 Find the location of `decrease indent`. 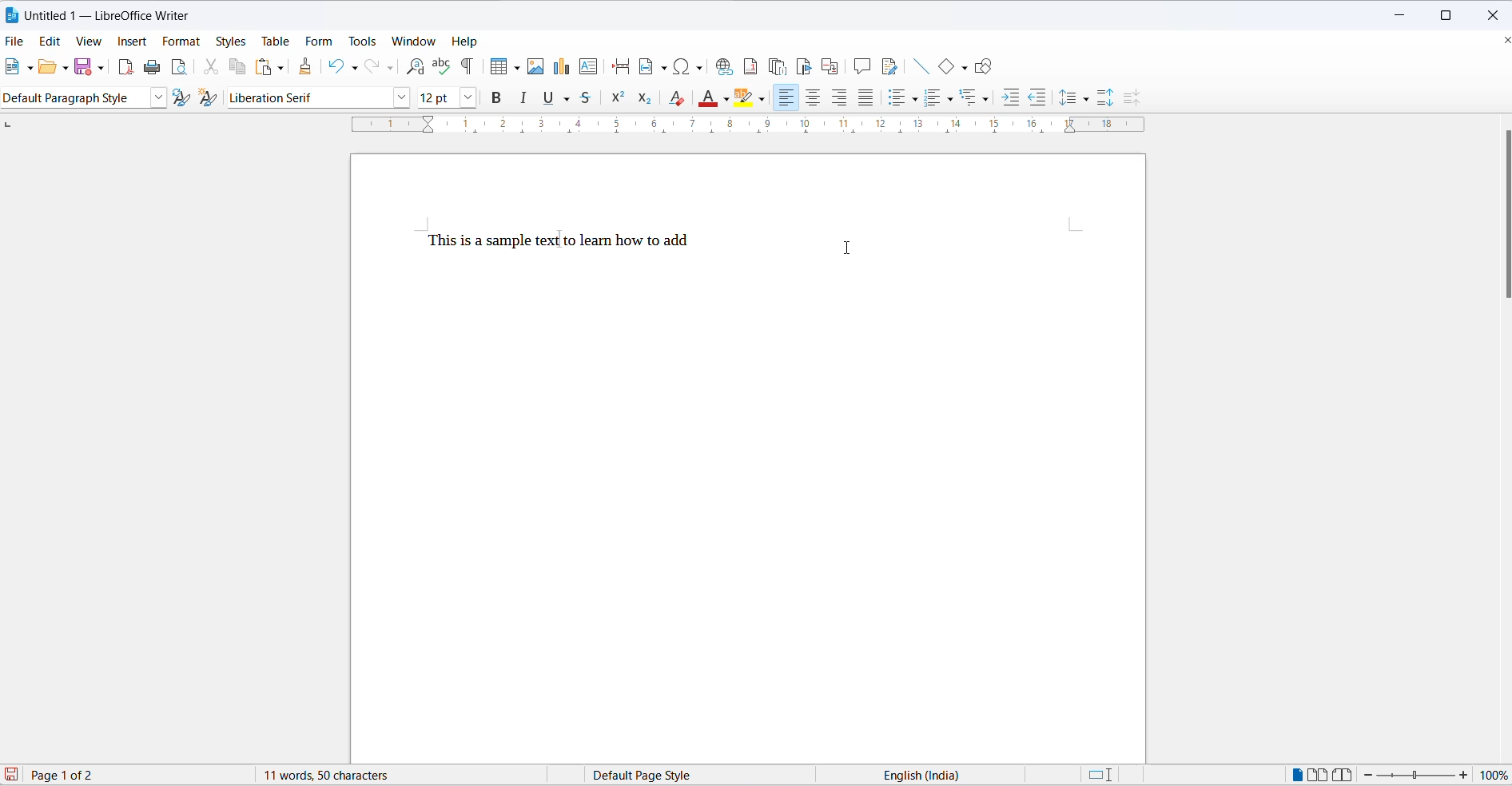

decrease indent is located at coordinates (1035, 94).